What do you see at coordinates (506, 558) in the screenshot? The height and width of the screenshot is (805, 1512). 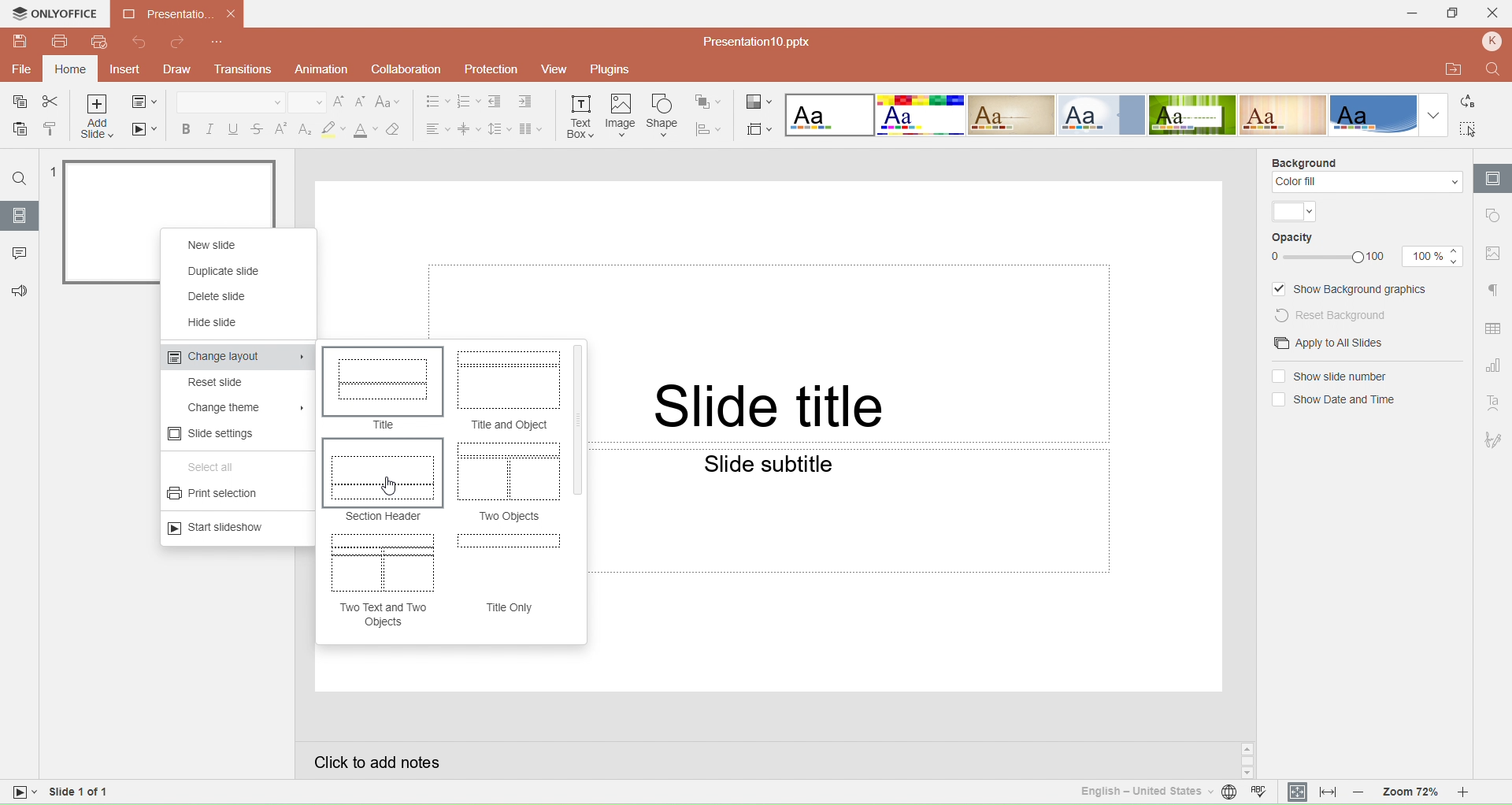 I see `Title only Preview layout` at bounding box center [506, 558].